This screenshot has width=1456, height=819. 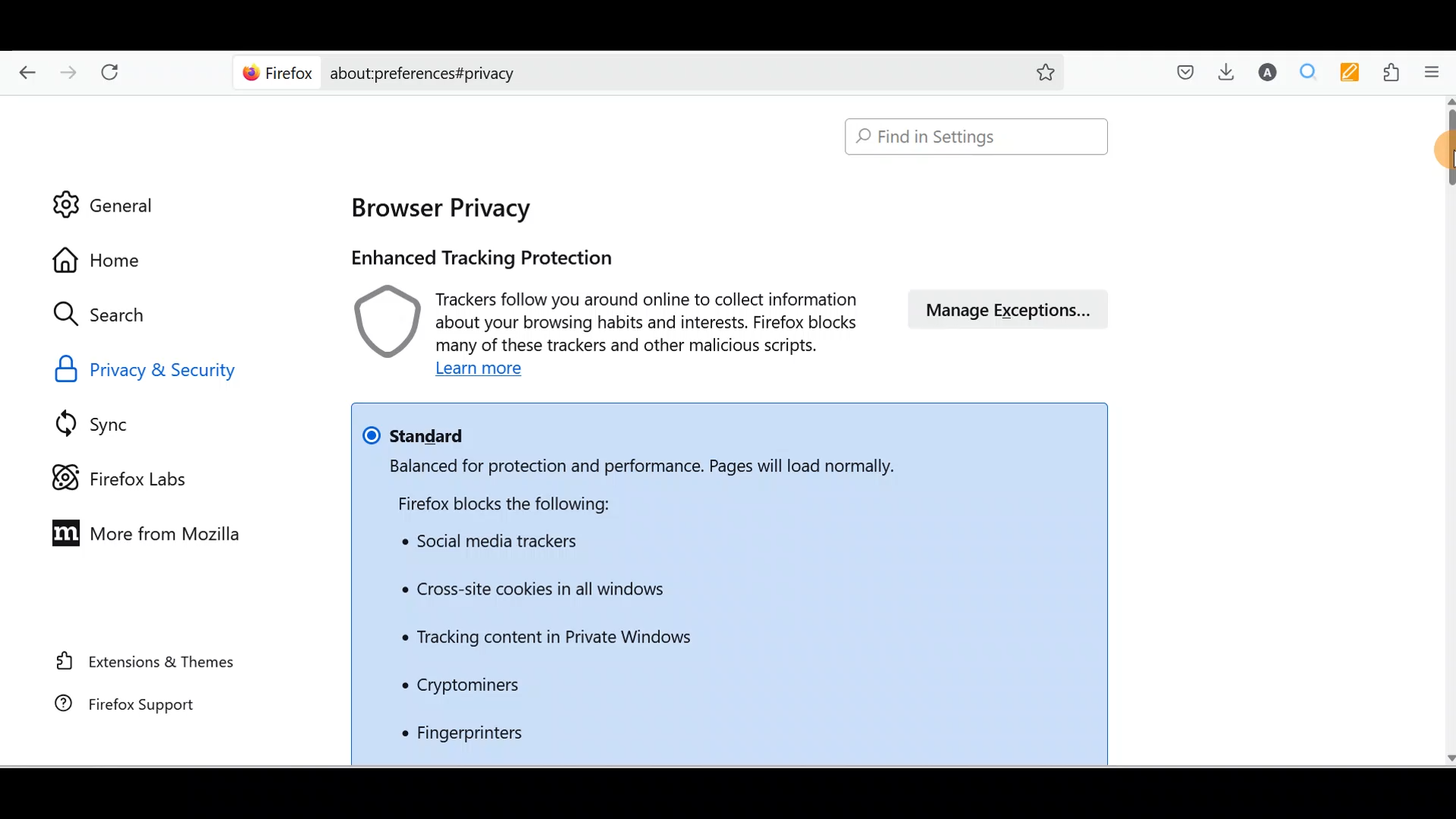 I want to click on Open application menu, so click(x=1436, y=73).